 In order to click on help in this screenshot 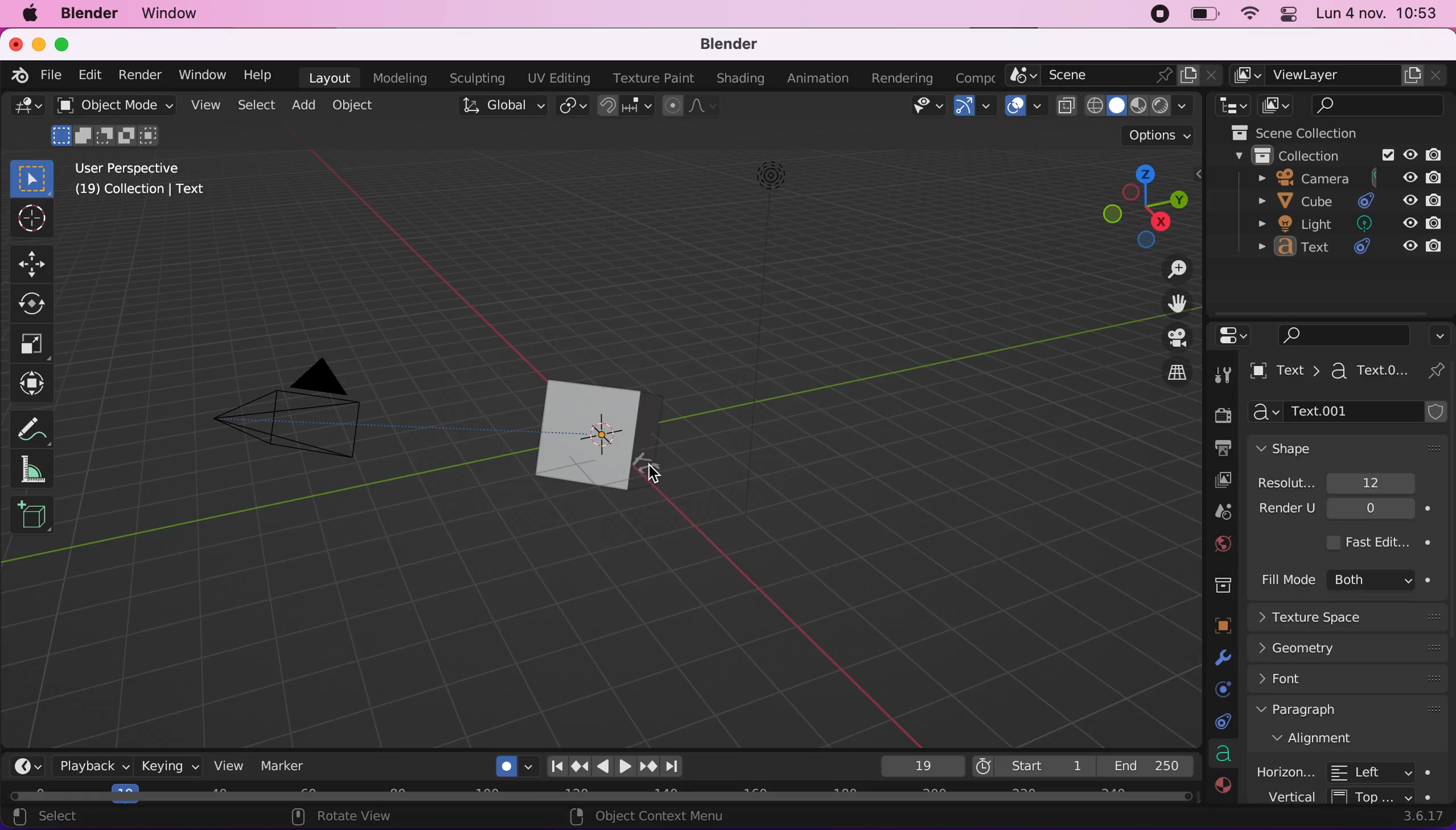, I will do `click(263, 76)`.